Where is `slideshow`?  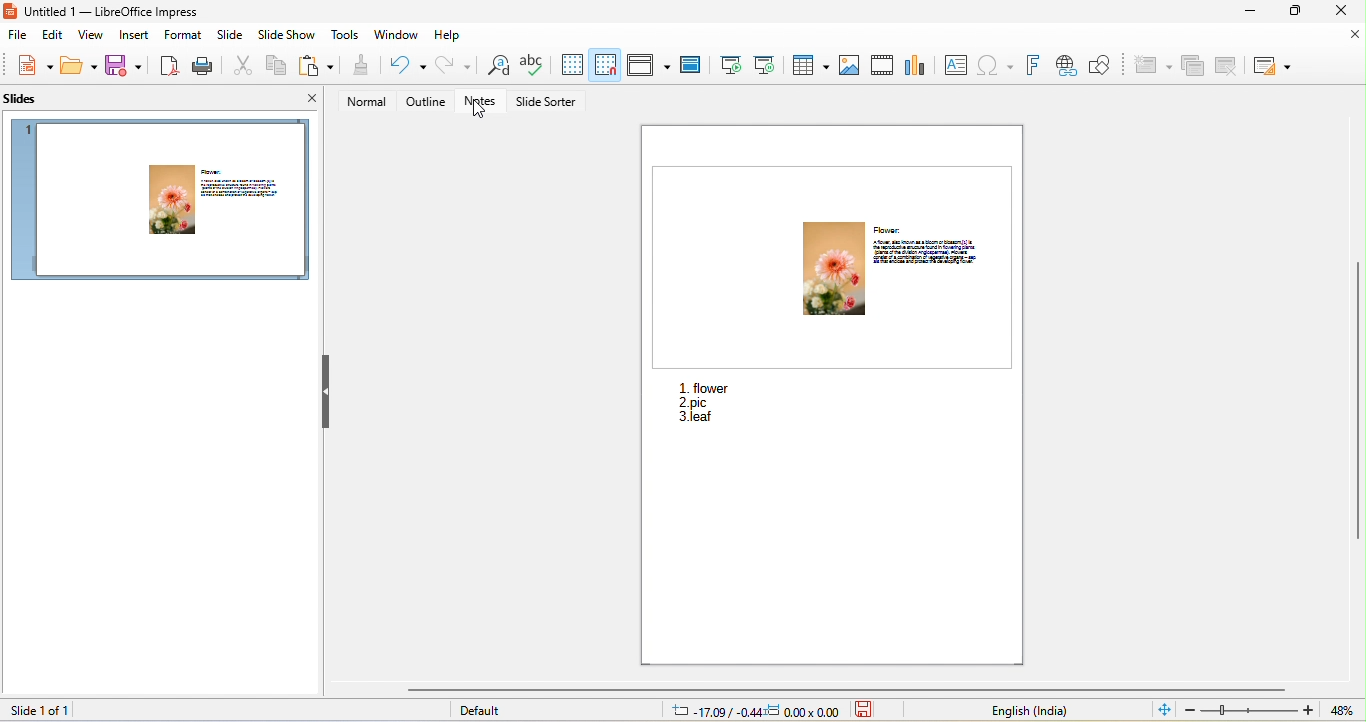 slideshow is located at coordinates (287, 35).